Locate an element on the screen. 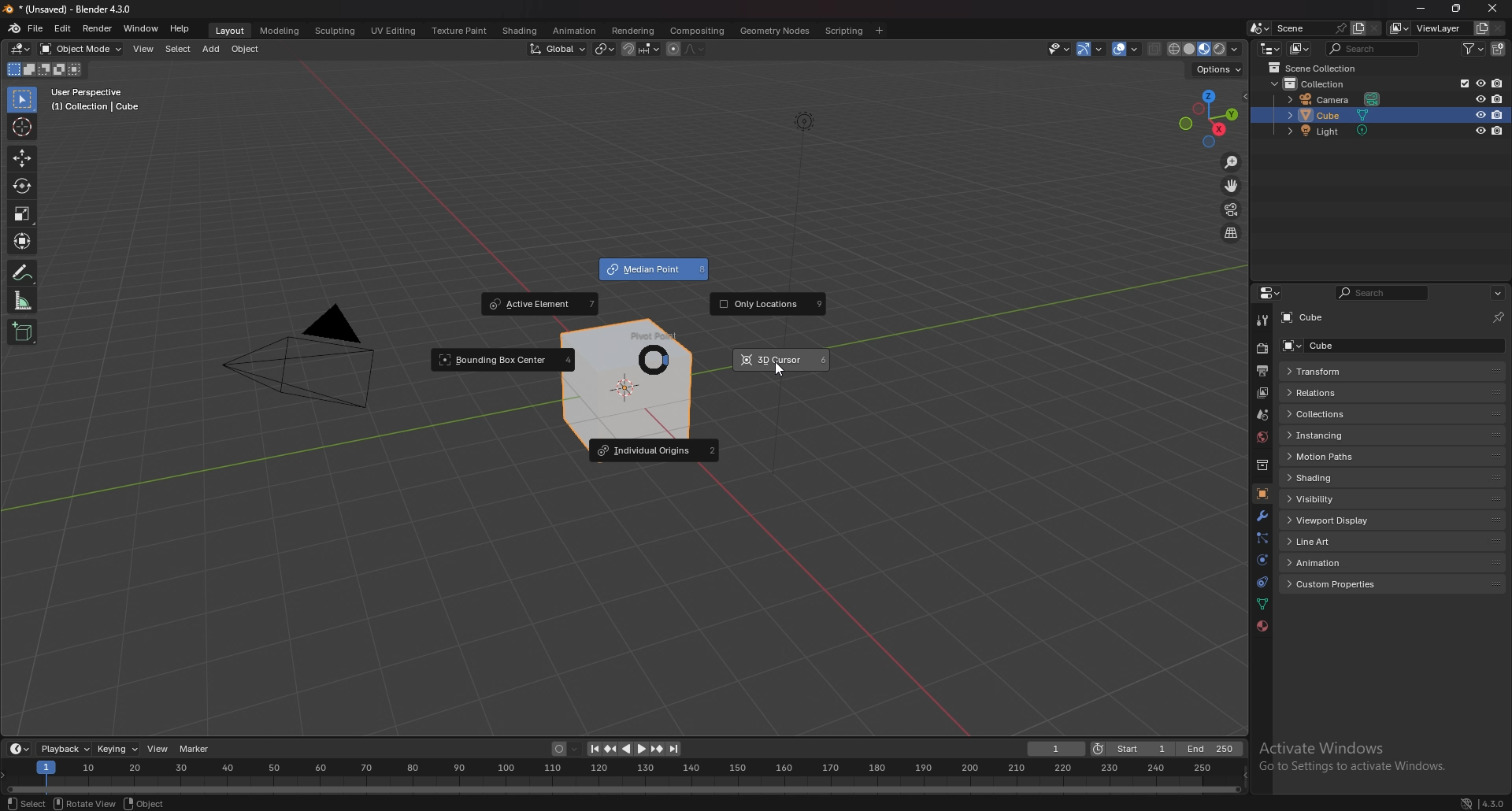 The image size is (1512, 811). pivot point is located at coordinates (654, 350).